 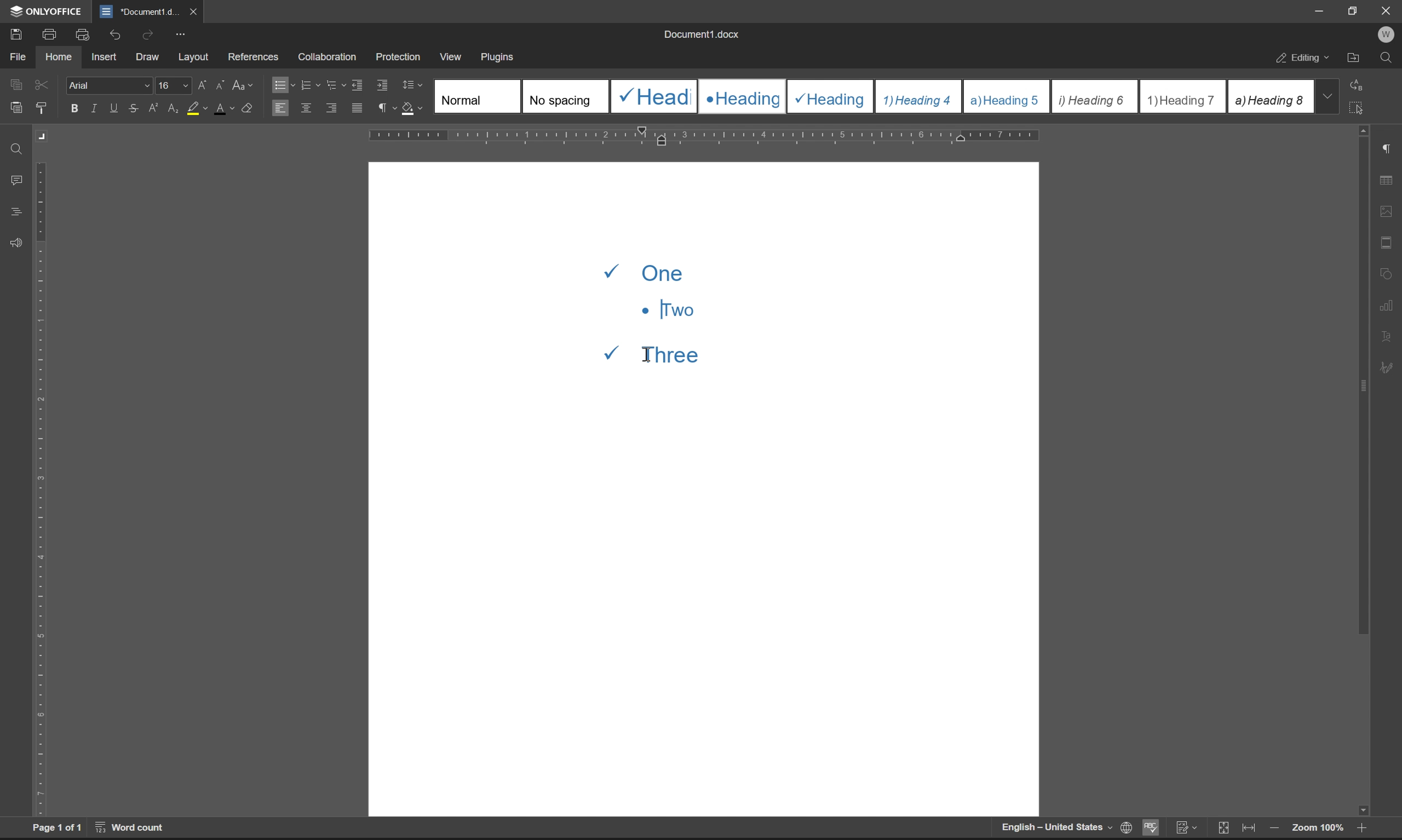 What do you see at coordinates (150, 34) in the screenshot?
I see `redo` at bounding box center [150, 34].